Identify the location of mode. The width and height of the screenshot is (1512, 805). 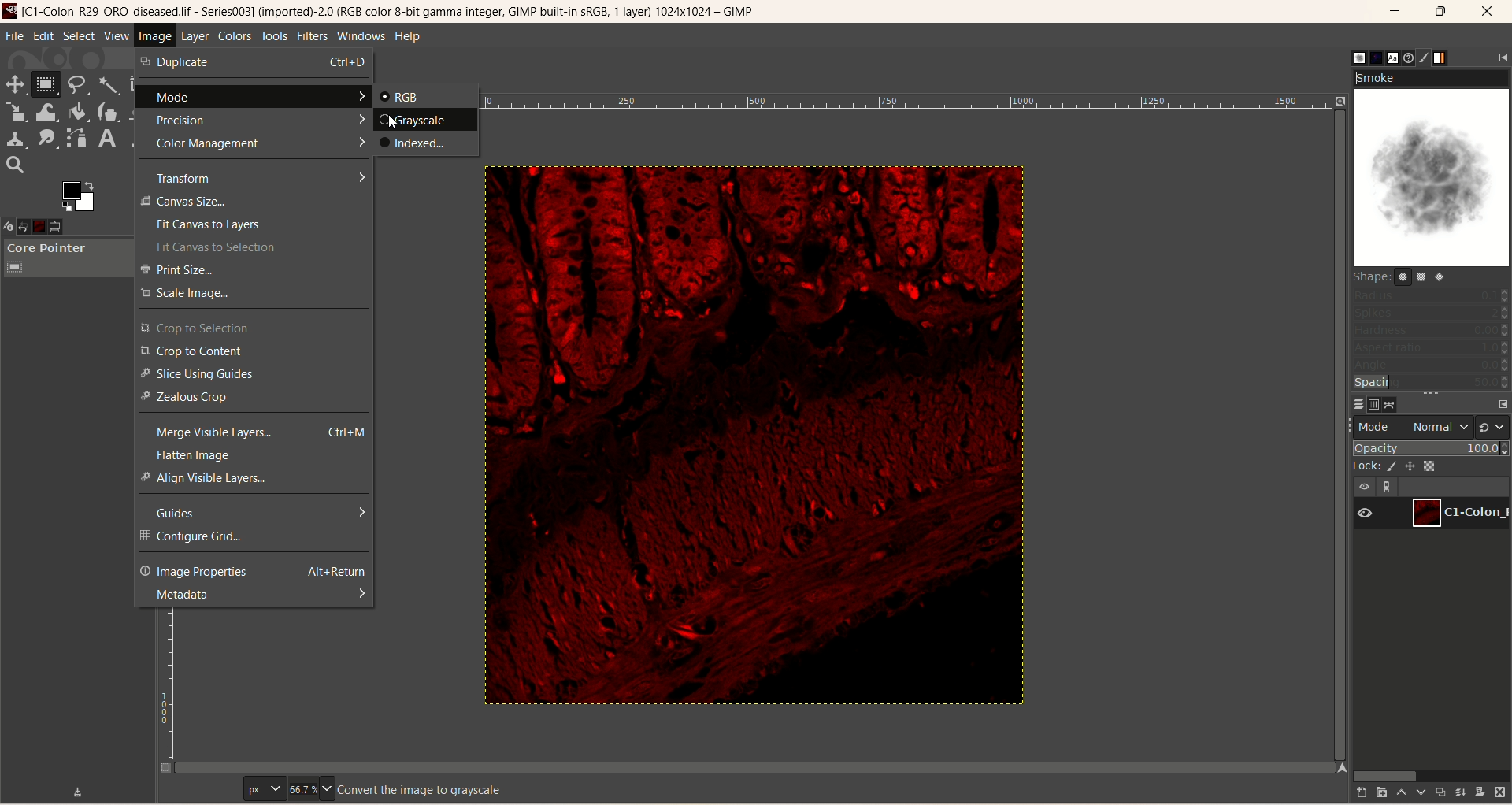
(254, 97).